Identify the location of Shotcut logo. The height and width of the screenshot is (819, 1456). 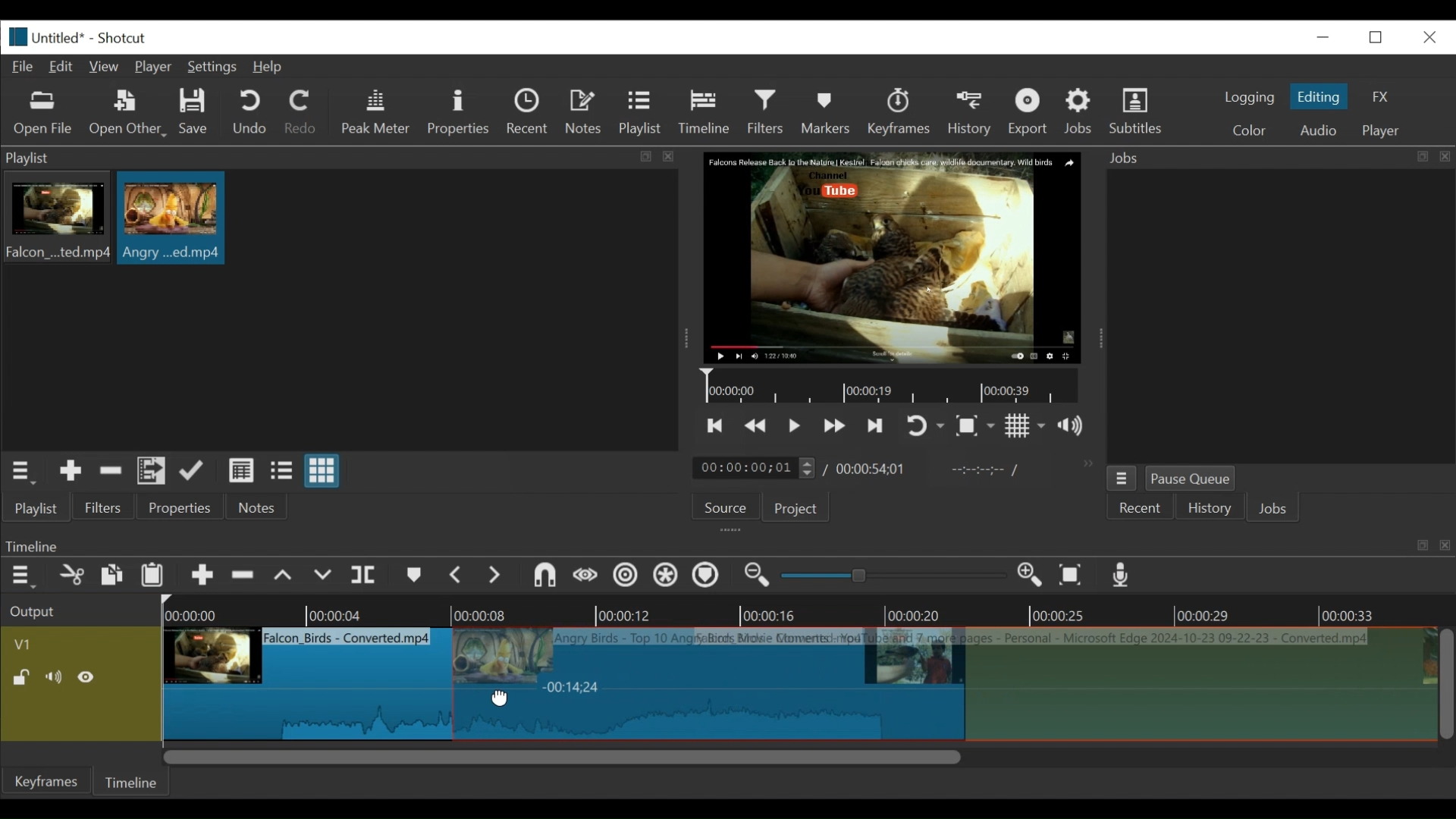
(14, 35).